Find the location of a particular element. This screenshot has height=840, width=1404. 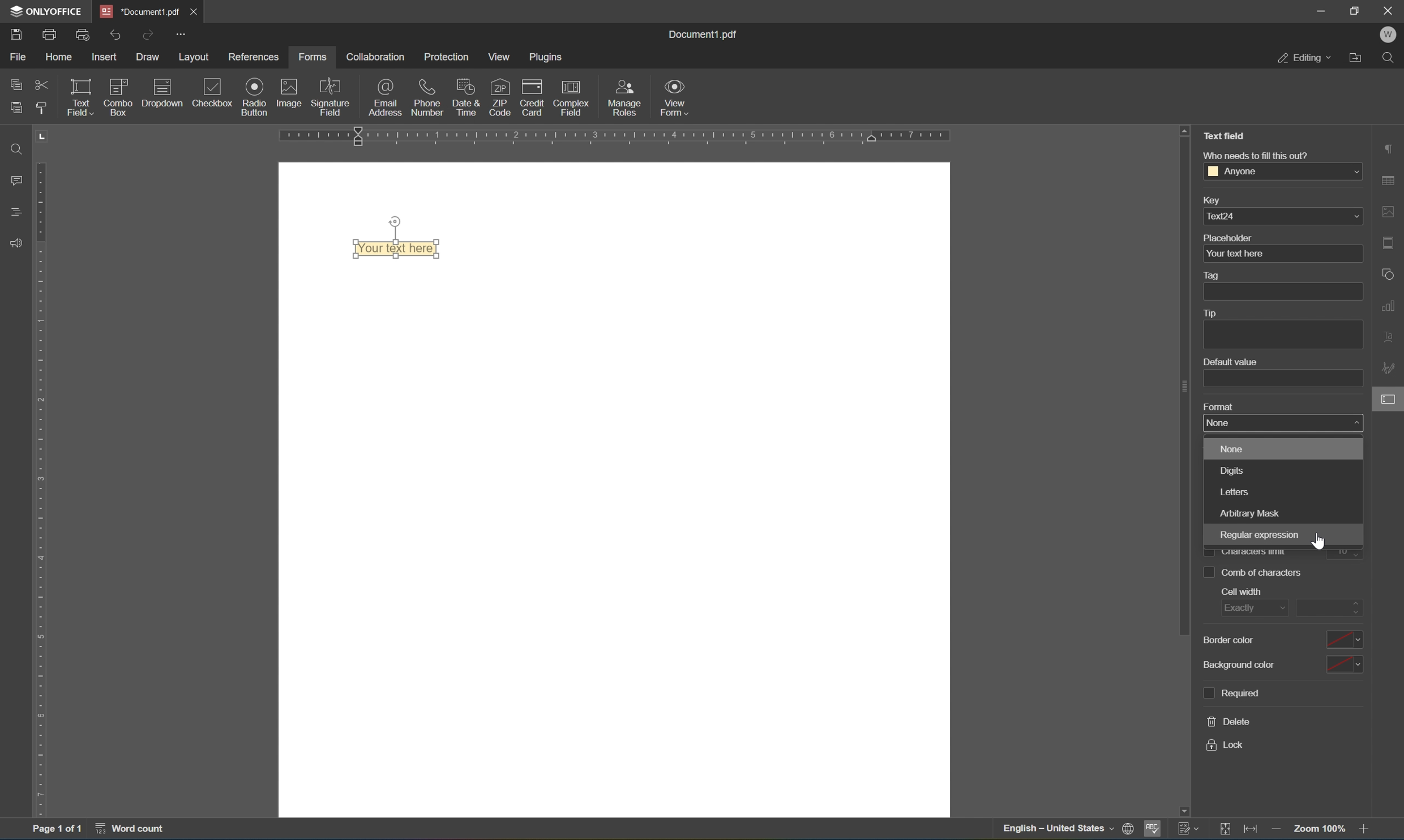

combo box is located at coordinates (119, 96).